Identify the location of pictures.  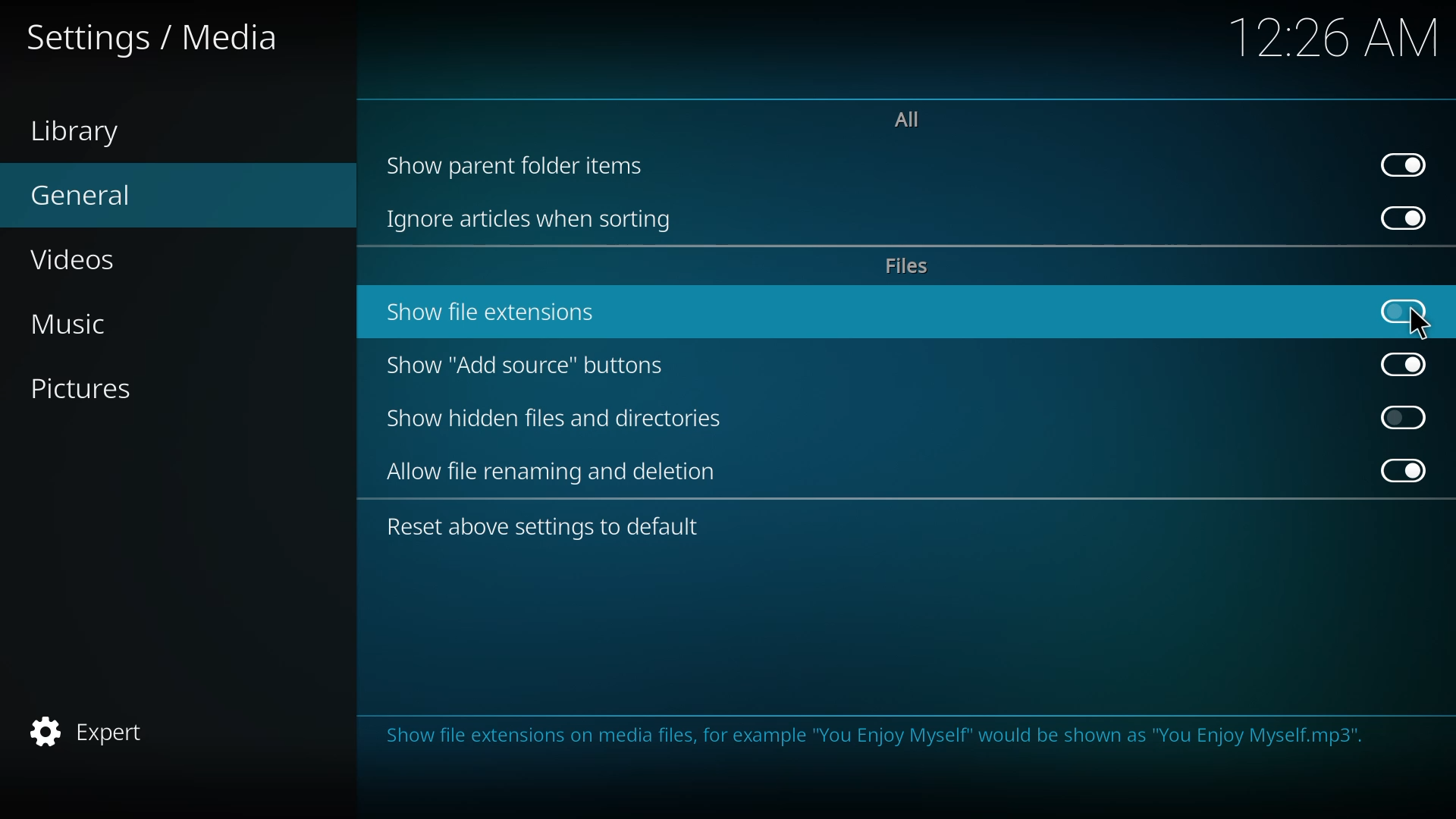
(99, 390).